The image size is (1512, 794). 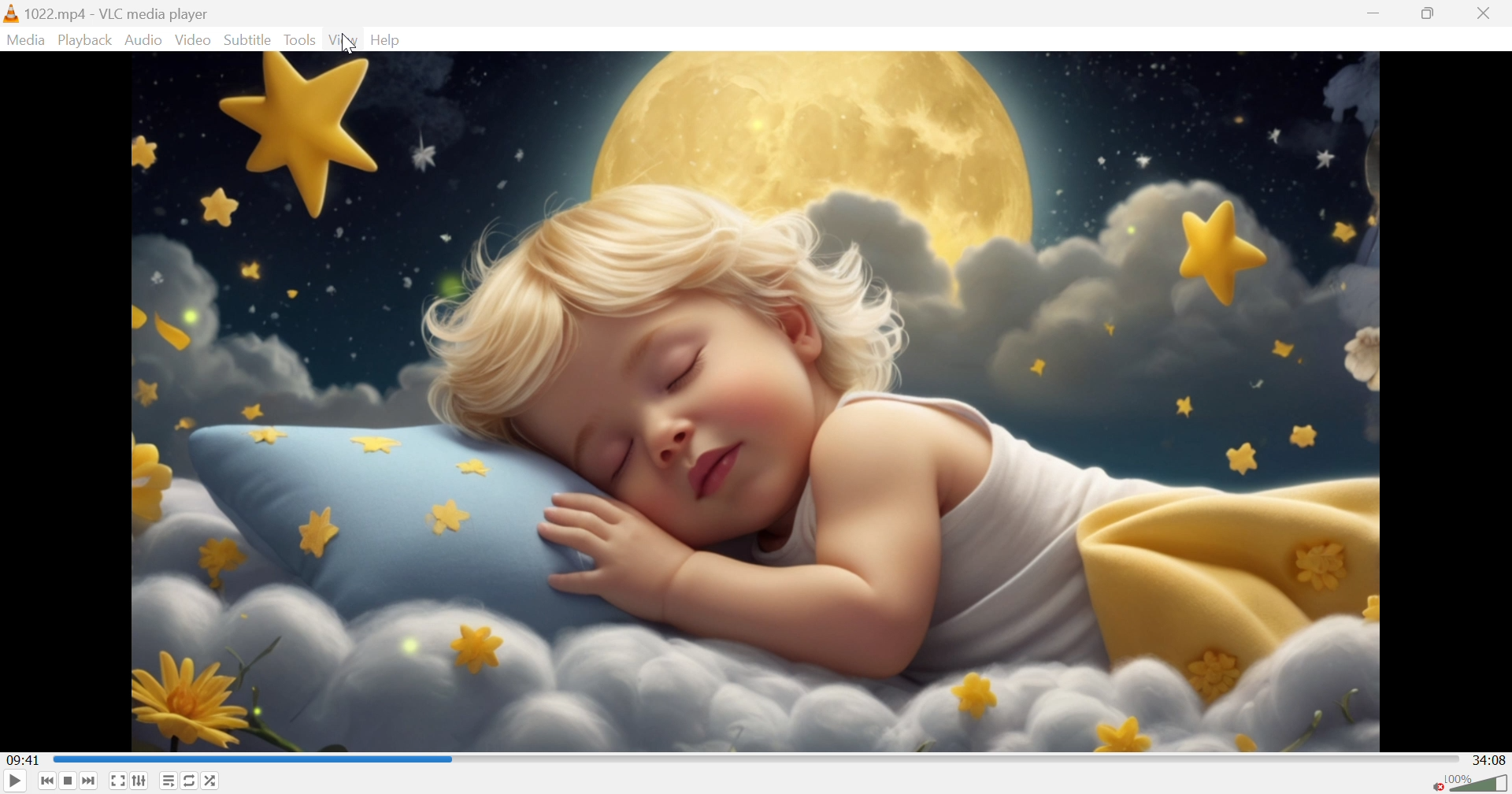 I want to click on Stop playback, so click(x=69, y=782).